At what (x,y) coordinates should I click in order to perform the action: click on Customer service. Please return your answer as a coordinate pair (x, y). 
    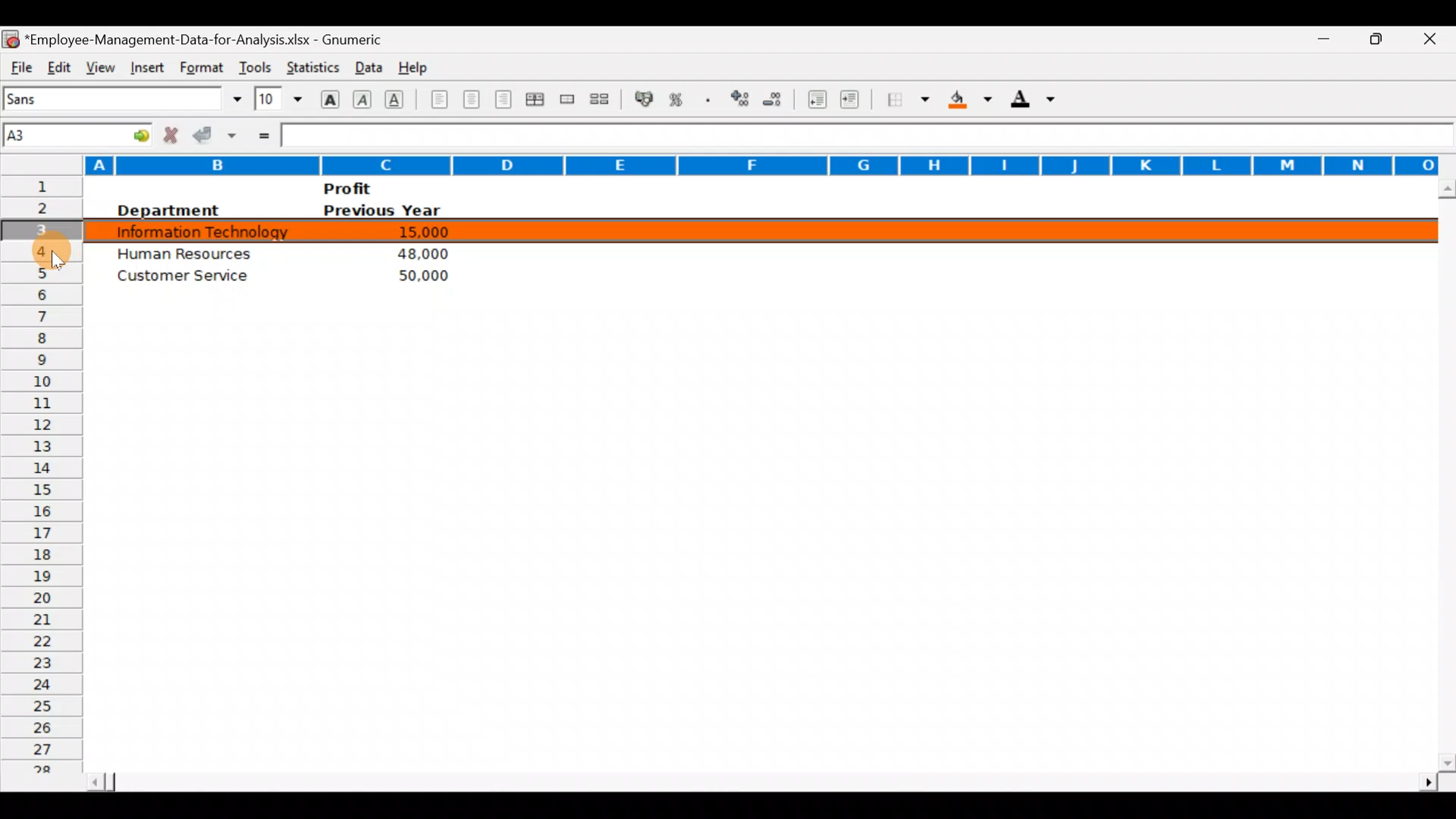
    Looking at the image, I should click on (190, 279).